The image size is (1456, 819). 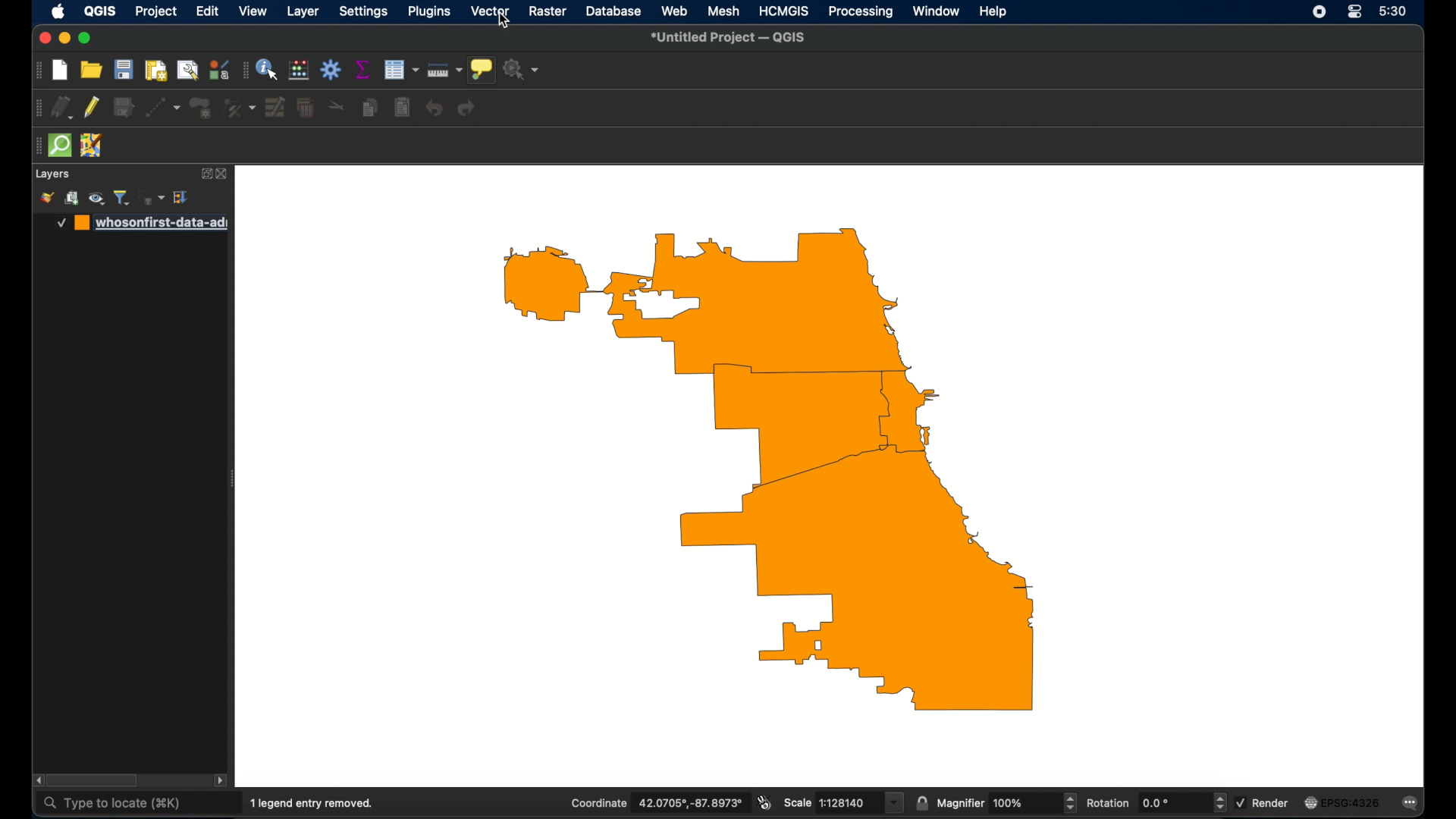 What do you see at coordinates (674, 11) in the screenshot?
I see `web` at bounding box center [674, 11].